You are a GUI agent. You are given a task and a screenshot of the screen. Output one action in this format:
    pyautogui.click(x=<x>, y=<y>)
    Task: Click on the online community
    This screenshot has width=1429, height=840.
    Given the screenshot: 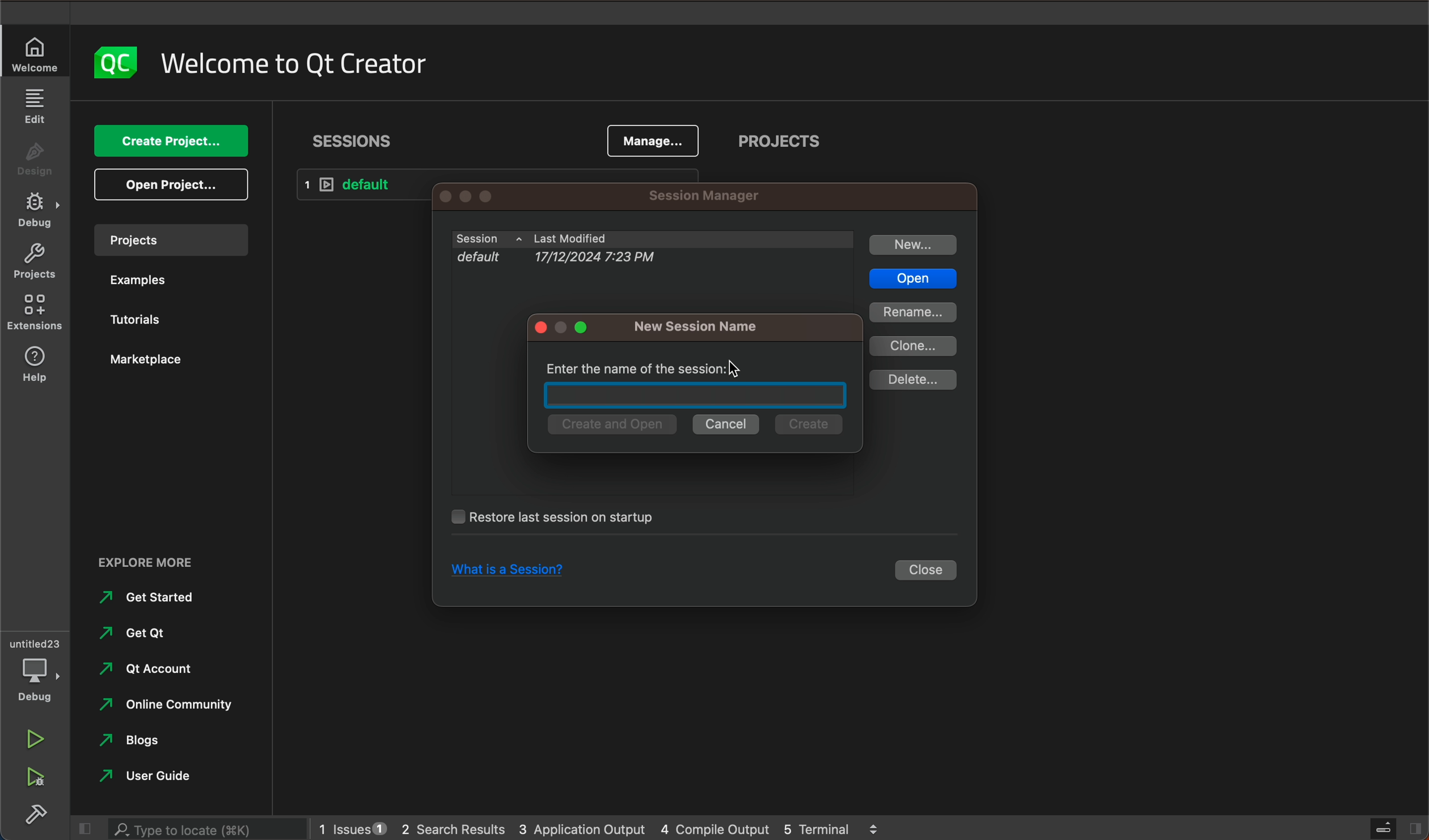 What is the action you would take?
    pyautogui.click(x=160, y=705)
    